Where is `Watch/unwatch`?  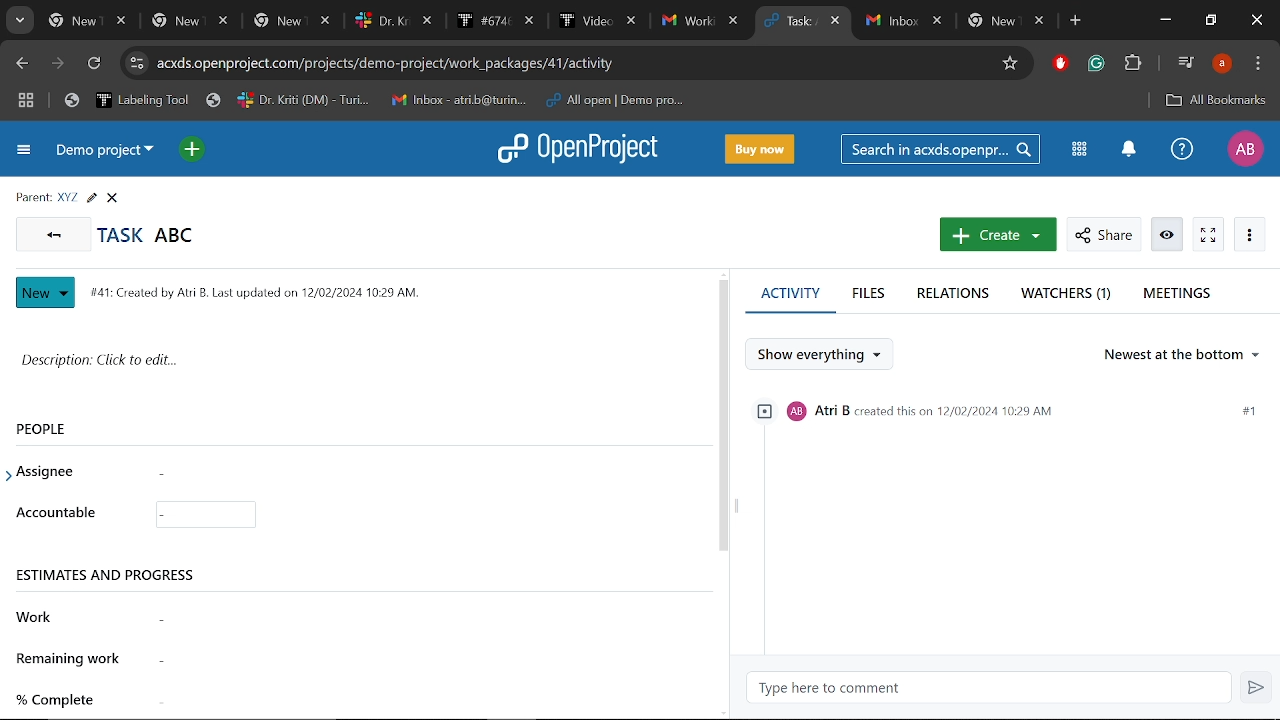 Watch/unwatch is located at coordinates (1167, 234).